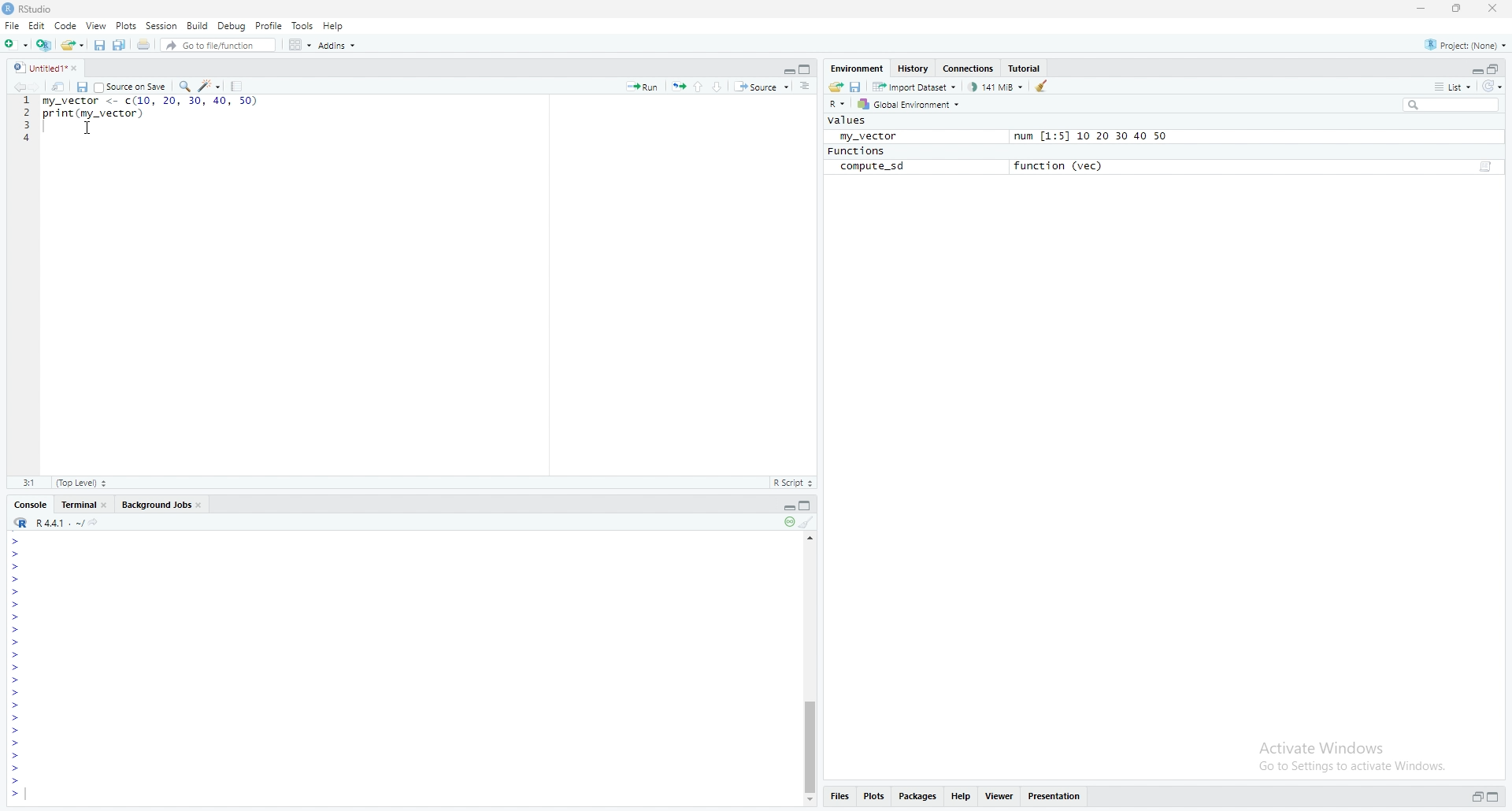 The image size is (1512, 811). Describe the element at coordinates (80, 69) in the screenshot. I see `Close` at that location.